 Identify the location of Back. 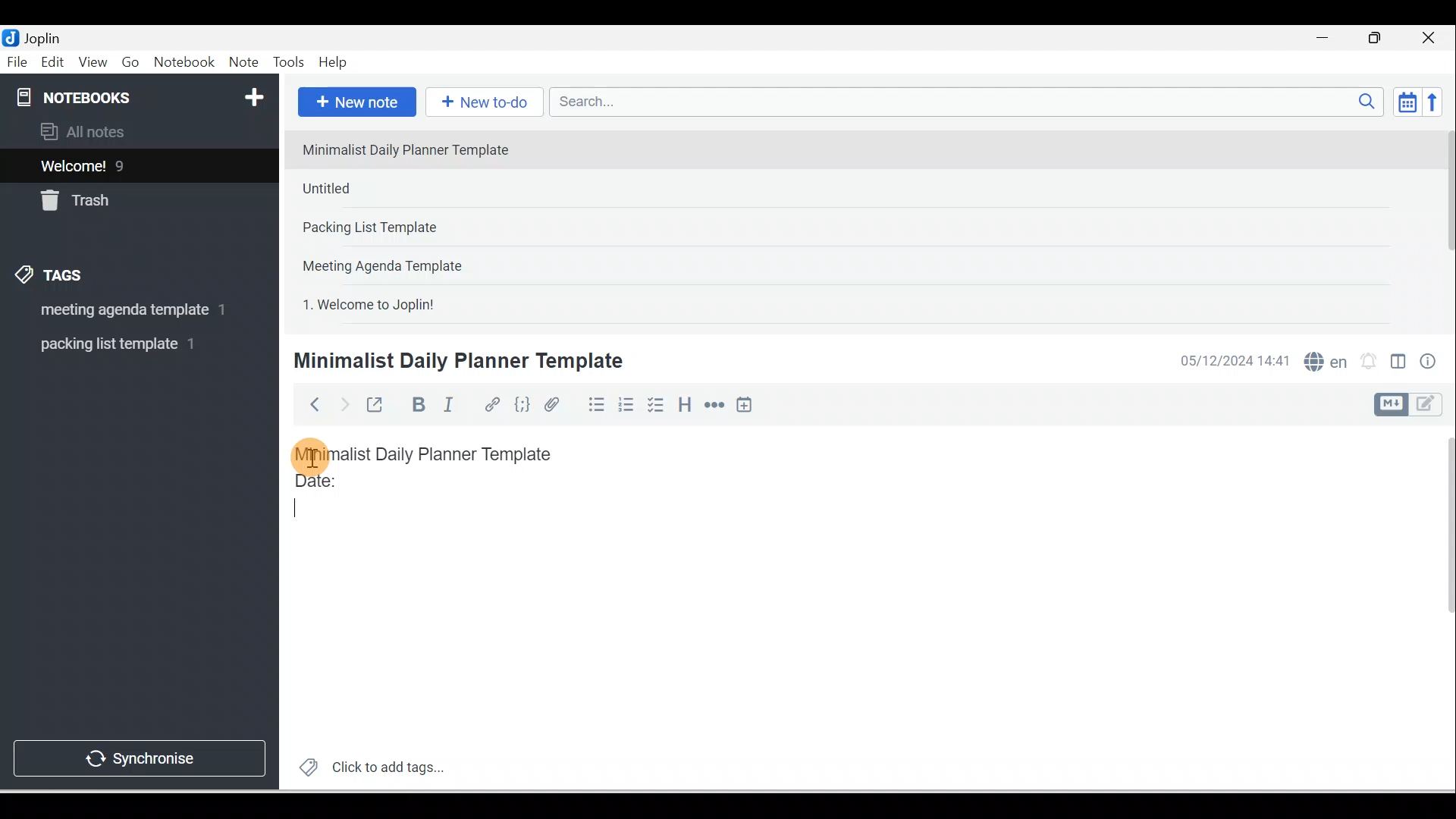
(308, 404).